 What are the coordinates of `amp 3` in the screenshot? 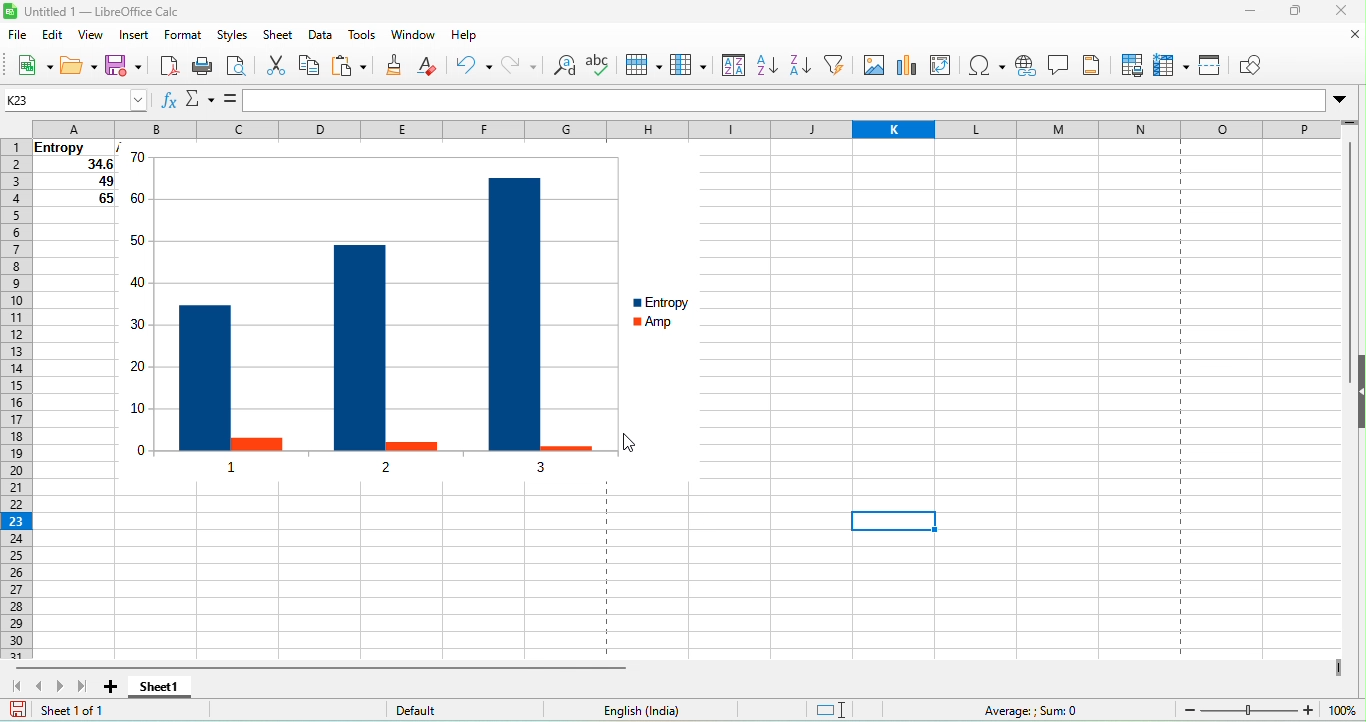 It's located at (568, 444).